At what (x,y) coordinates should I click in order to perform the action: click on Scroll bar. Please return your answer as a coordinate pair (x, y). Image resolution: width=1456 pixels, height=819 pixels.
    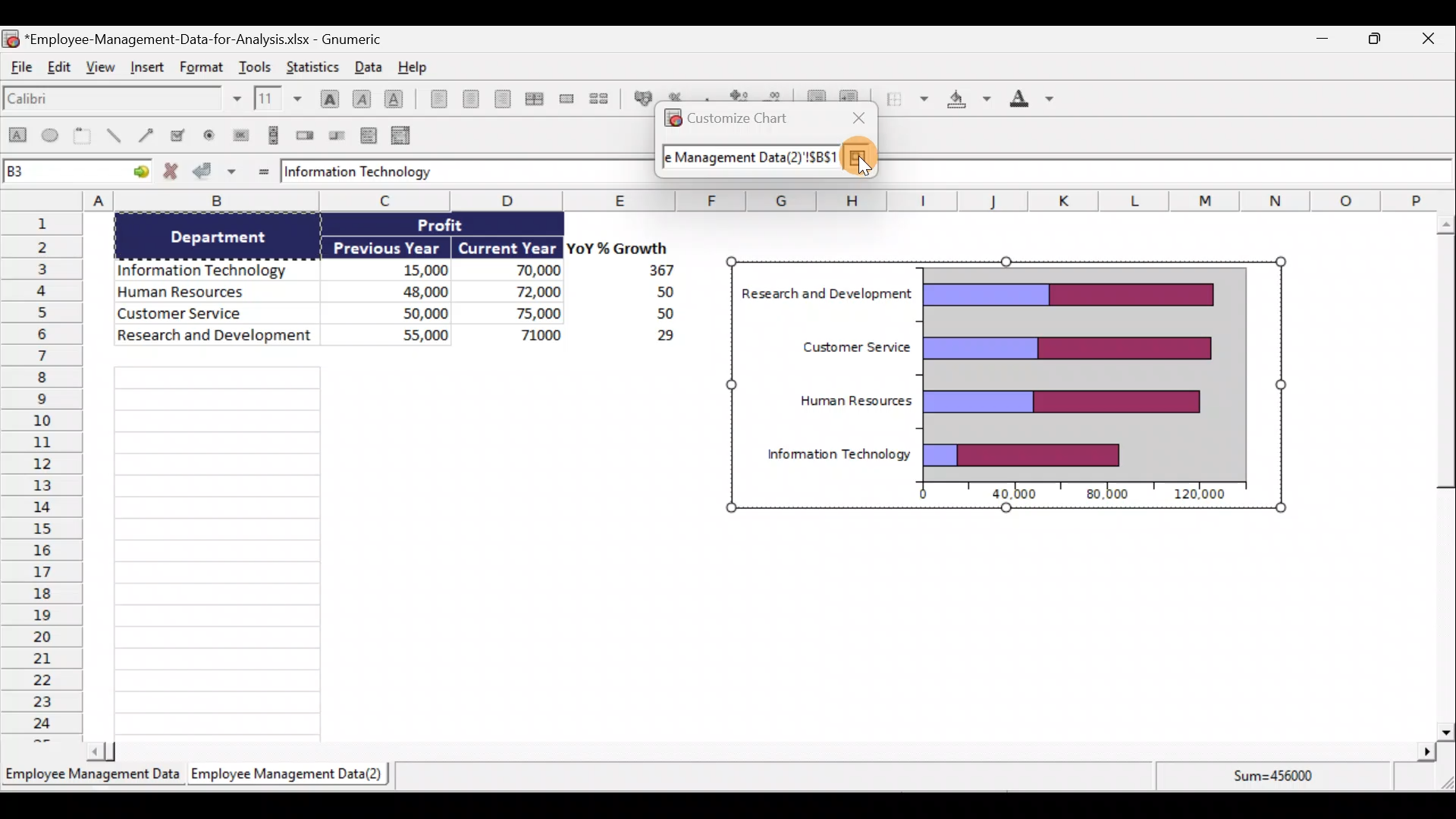
    Looking at the image, I should click on (763, 753).